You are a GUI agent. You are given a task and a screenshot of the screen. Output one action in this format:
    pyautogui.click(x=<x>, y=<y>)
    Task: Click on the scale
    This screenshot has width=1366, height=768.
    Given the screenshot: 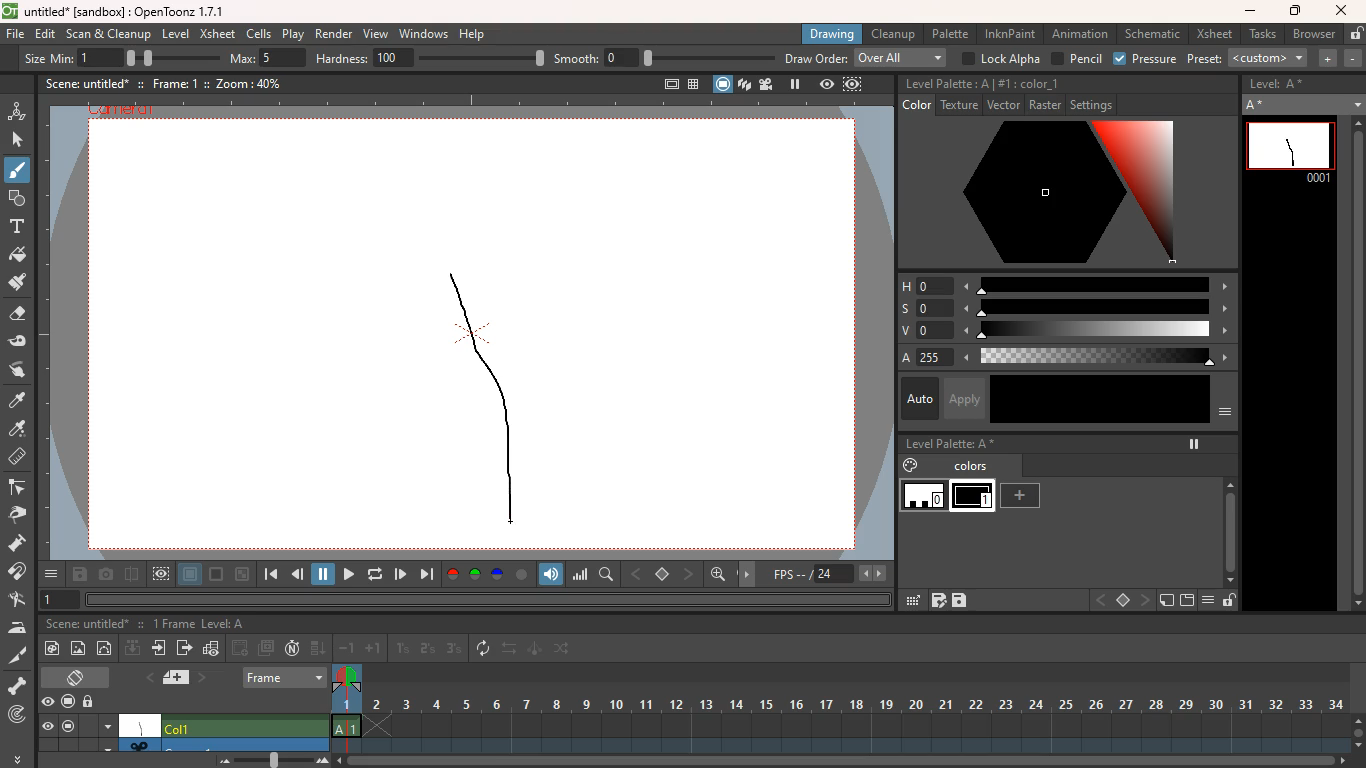 What is the action you would take?
    pyautogui.click(x=1100, y=308)
    